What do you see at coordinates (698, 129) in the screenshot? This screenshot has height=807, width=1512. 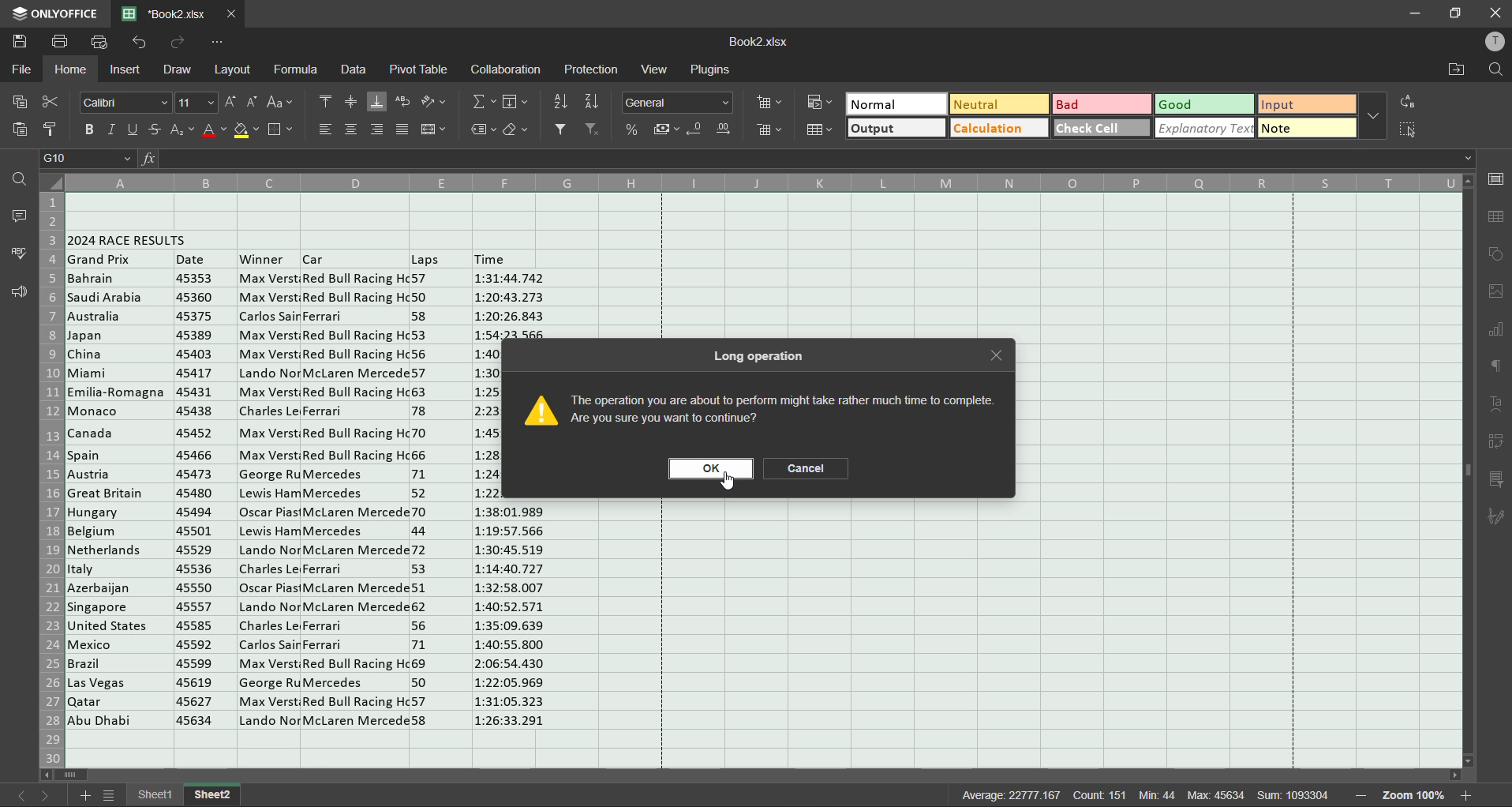 I see `decrease decimal` at bounding box center [698, 129].